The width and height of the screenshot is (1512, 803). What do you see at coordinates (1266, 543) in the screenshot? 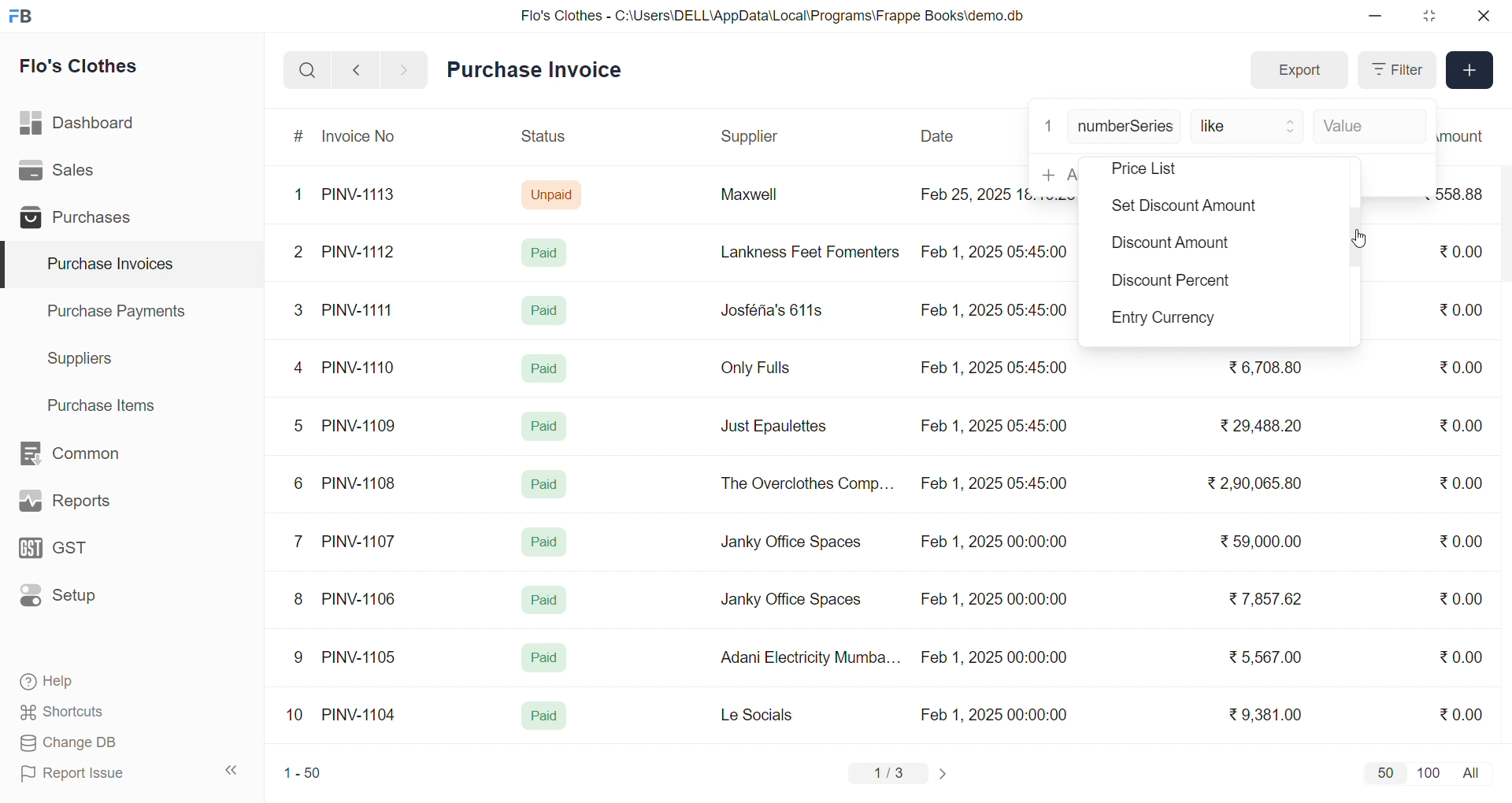
I see `₹ 59,000.00` at bounding box center [1266, 543].